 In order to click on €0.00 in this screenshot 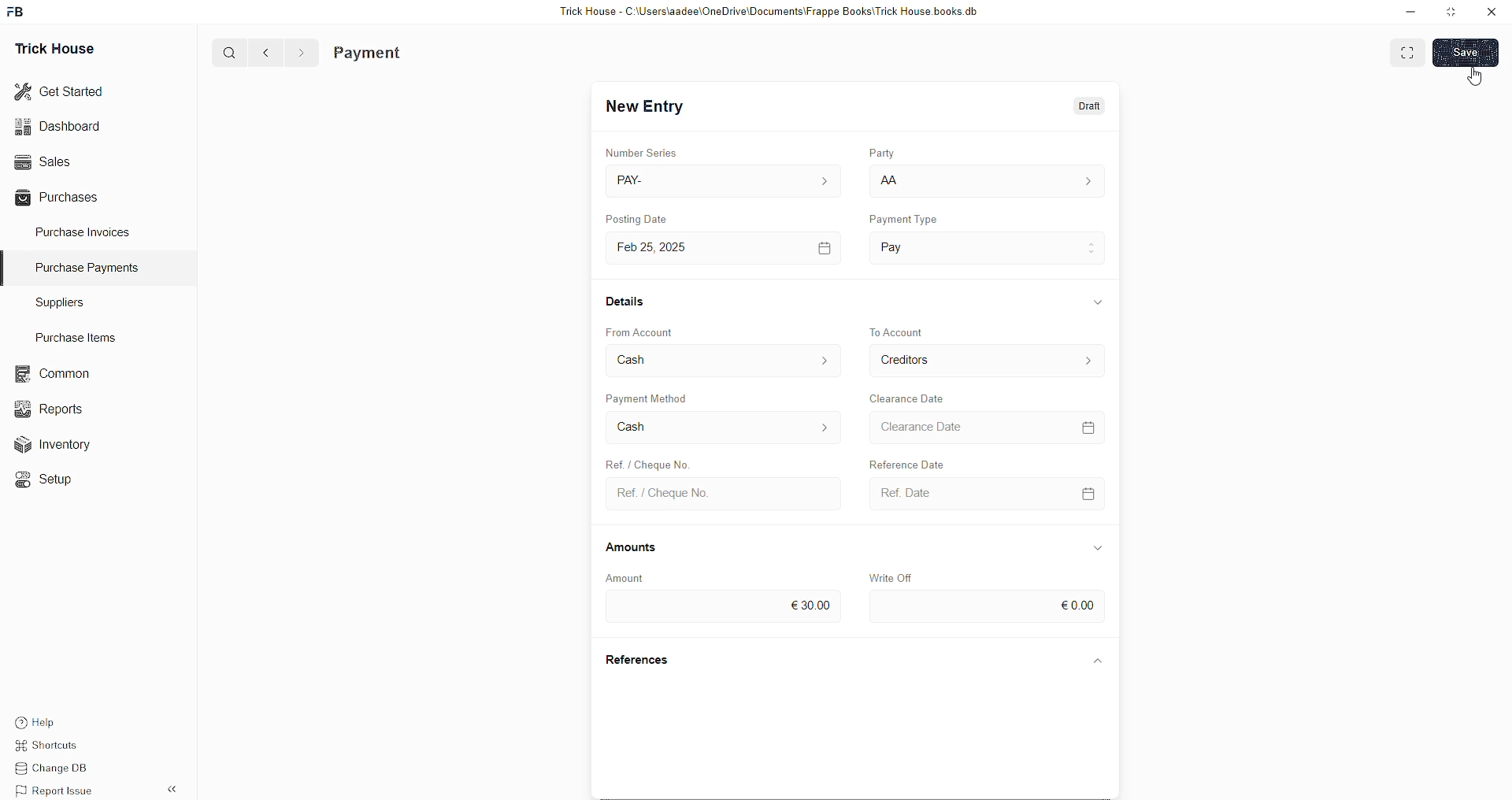, I will do `click(1073, 606)`.